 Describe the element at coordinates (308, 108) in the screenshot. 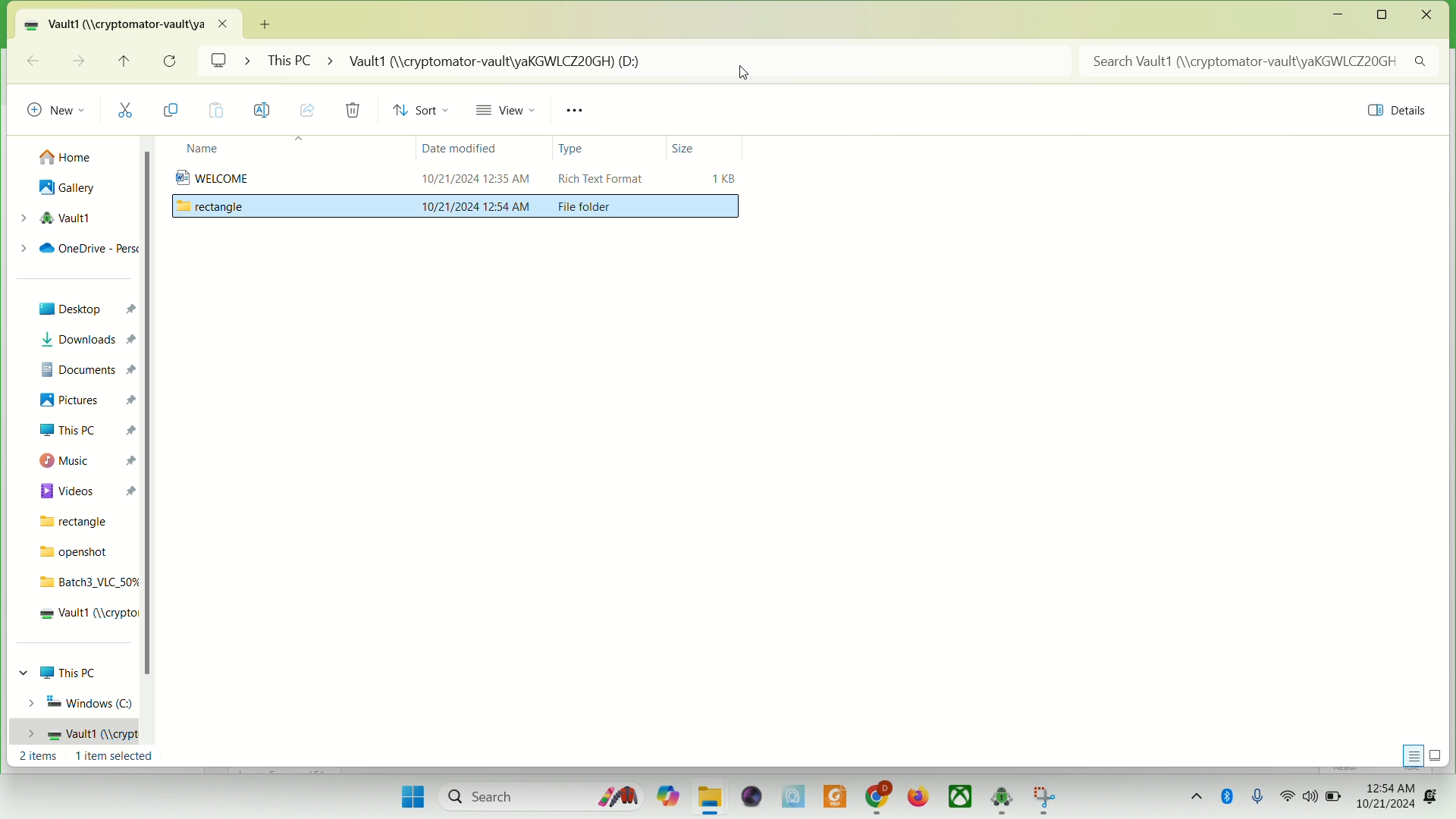

I see `share` at that location.